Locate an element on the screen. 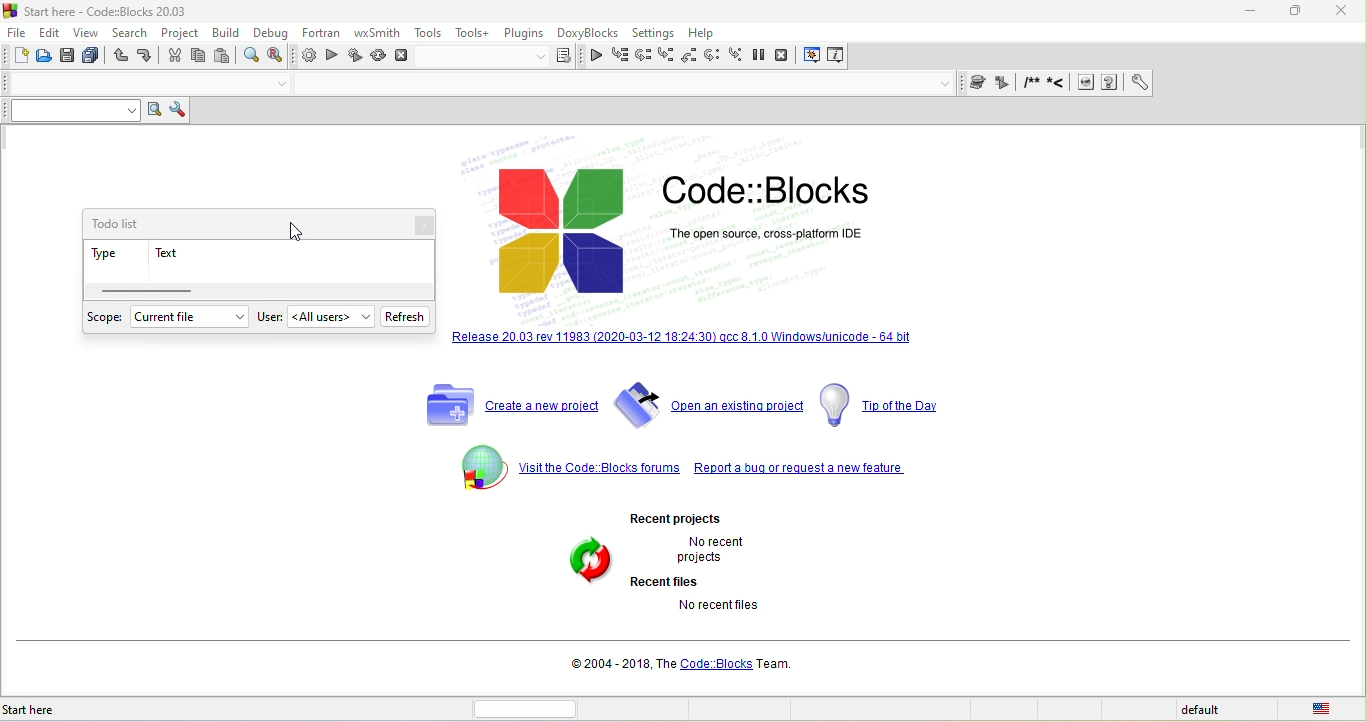 The height and width of the screenshot is (722, 1366). build is located at coordinates (228, 35).